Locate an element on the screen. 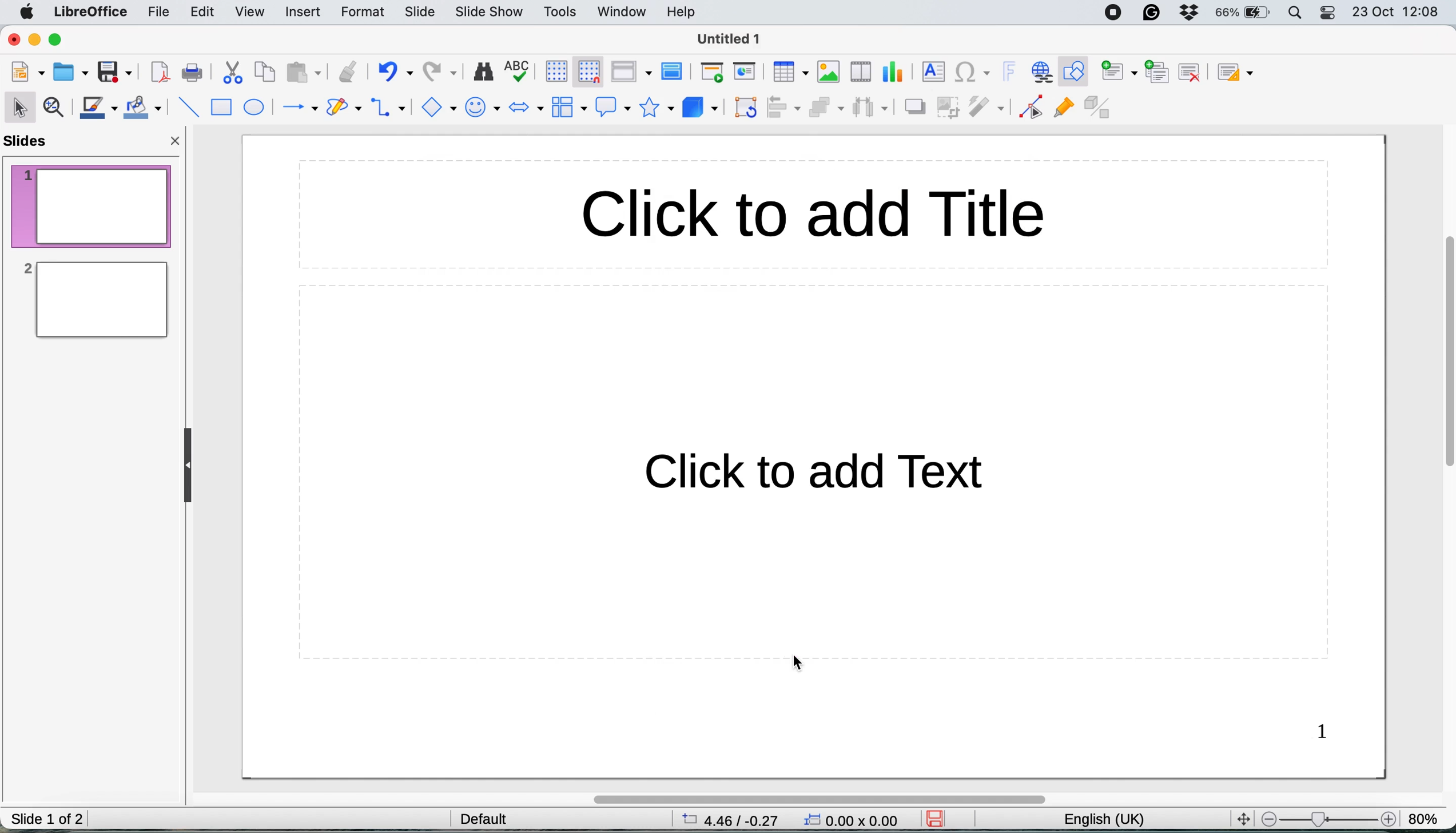 Image resolution: width=1456 pixels, height=833 pixels. libreoffice is located at coordinates (92, 13).